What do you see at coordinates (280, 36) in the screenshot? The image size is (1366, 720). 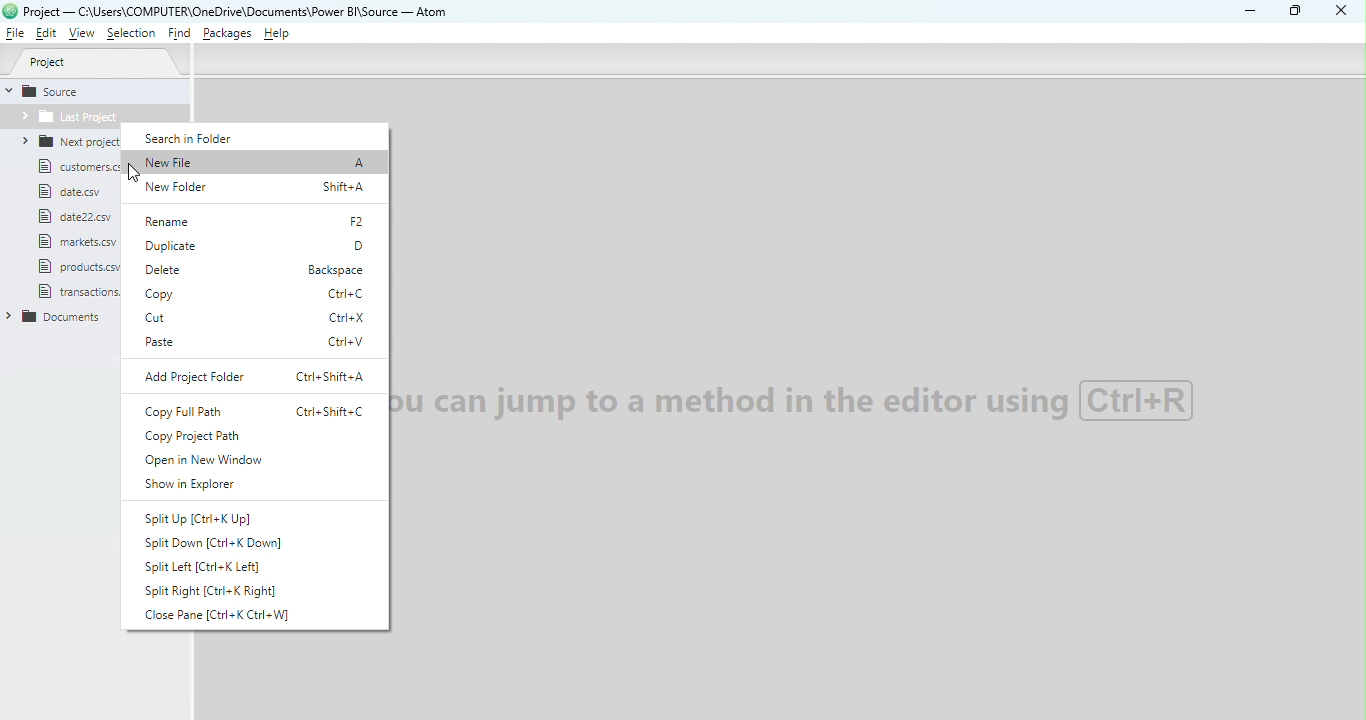 I see `Help` at bounding box center [280, 36].